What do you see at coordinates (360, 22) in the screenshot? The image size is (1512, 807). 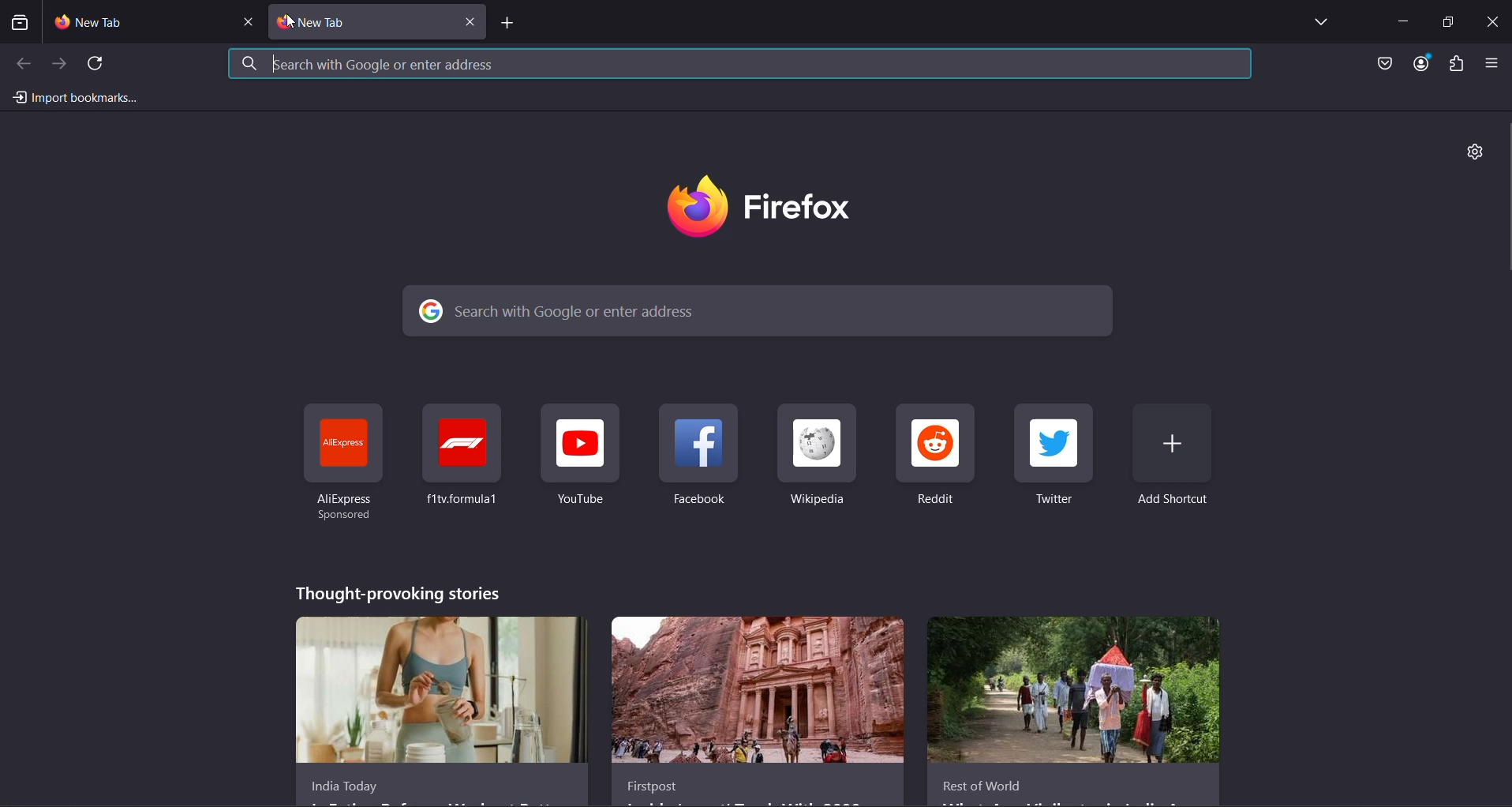 I see `current tab` at bounding box center [360, 22].